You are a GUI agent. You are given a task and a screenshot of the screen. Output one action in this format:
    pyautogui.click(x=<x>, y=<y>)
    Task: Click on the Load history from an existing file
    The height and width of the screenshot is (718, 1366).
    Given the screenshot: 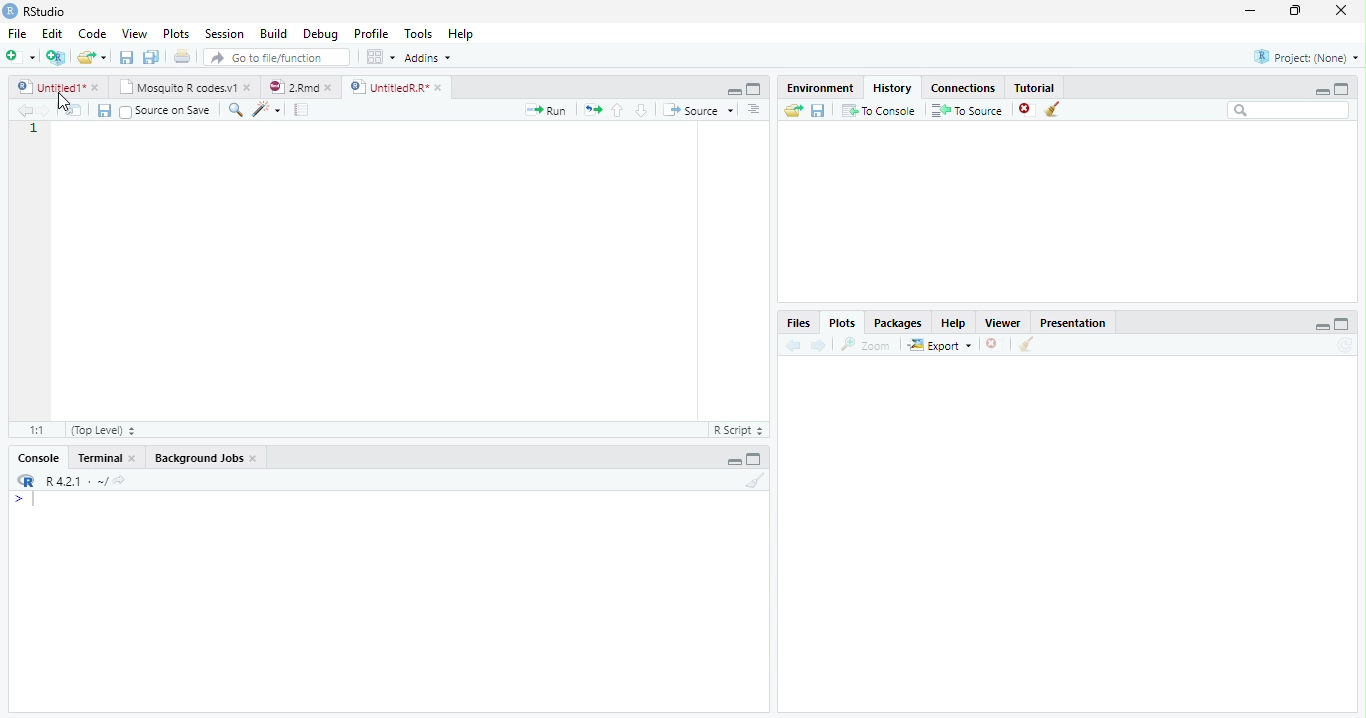 What is the action you would take?
    pyautogui.click(x=793, y=110)
    